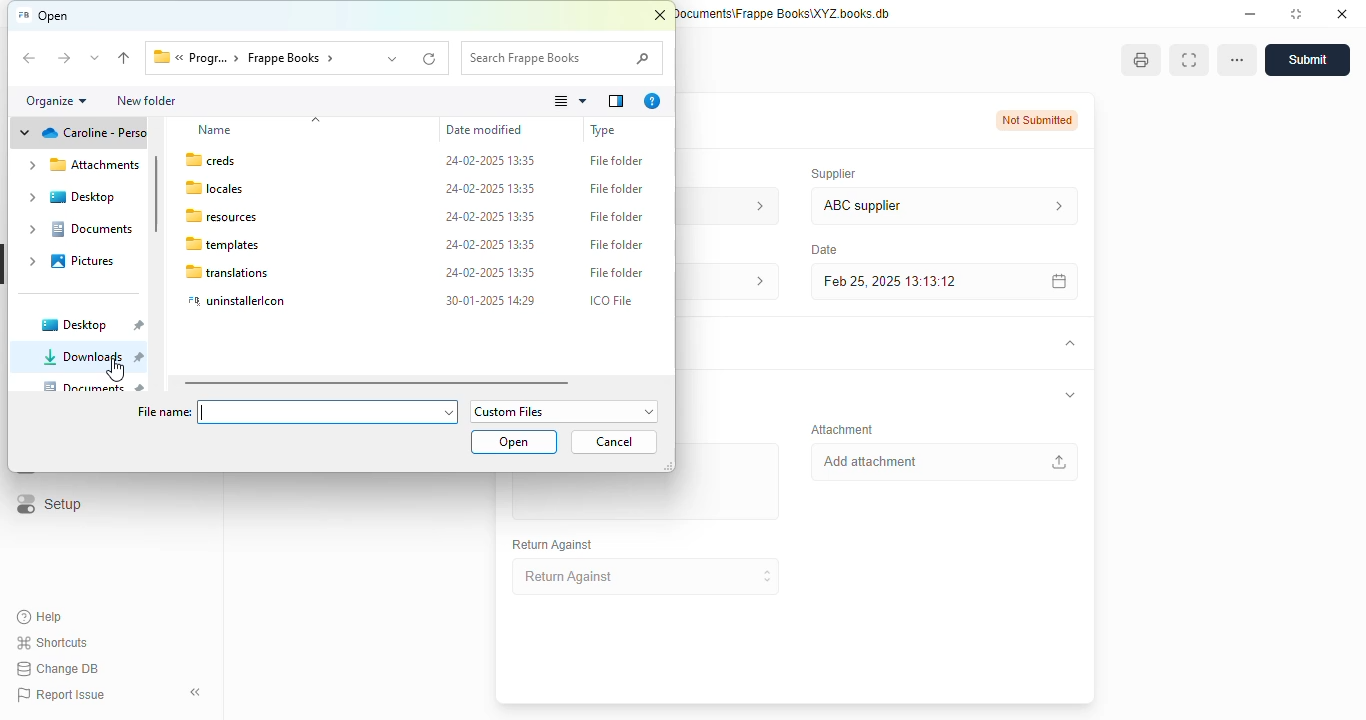  What do you see at coordinates (316, 120) in the screenshot?
I see `scroll up` at bounding box center [316, 120].